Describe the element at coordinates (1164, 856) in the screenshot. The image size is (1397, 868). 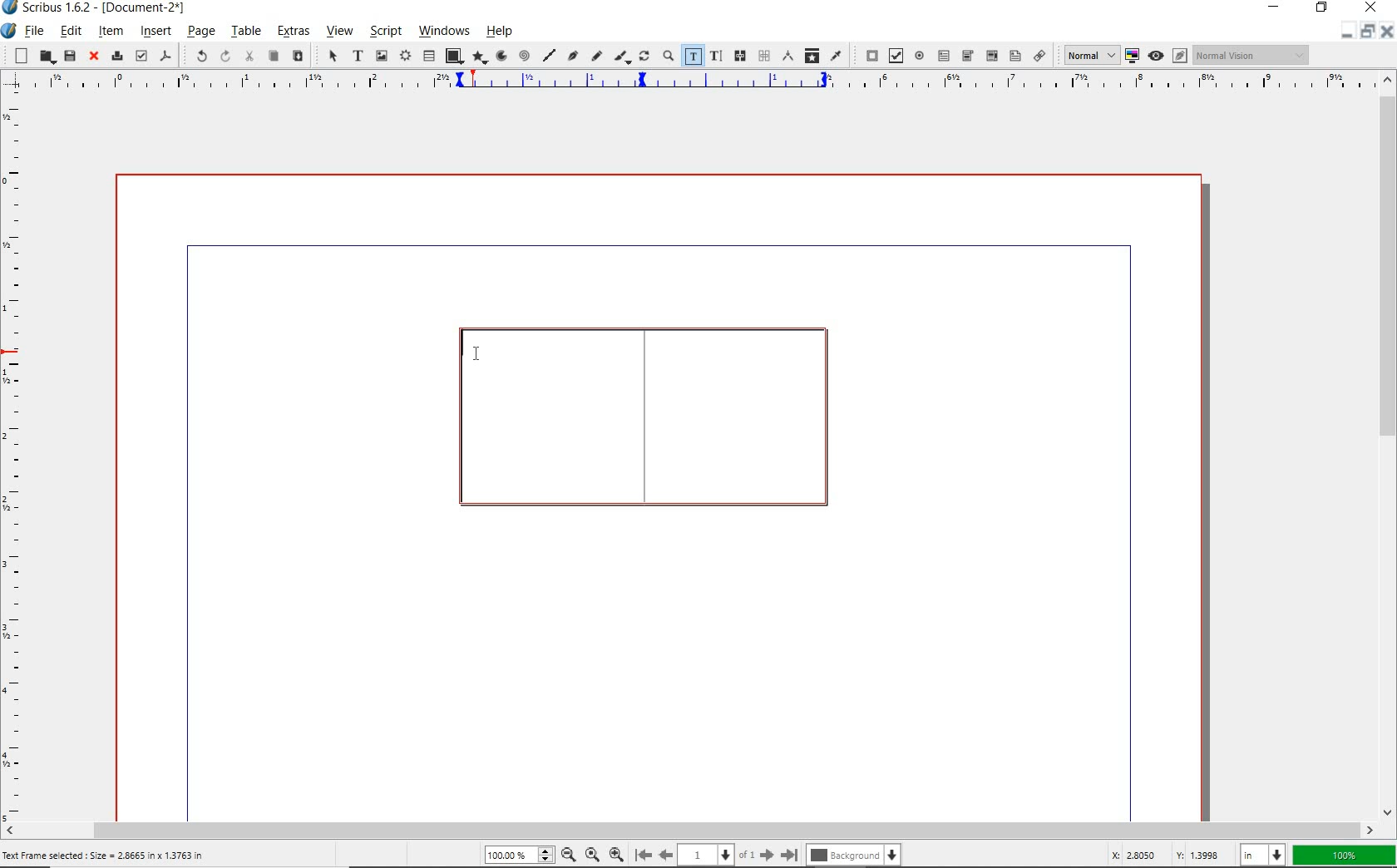
I see `coordinates` at that location.